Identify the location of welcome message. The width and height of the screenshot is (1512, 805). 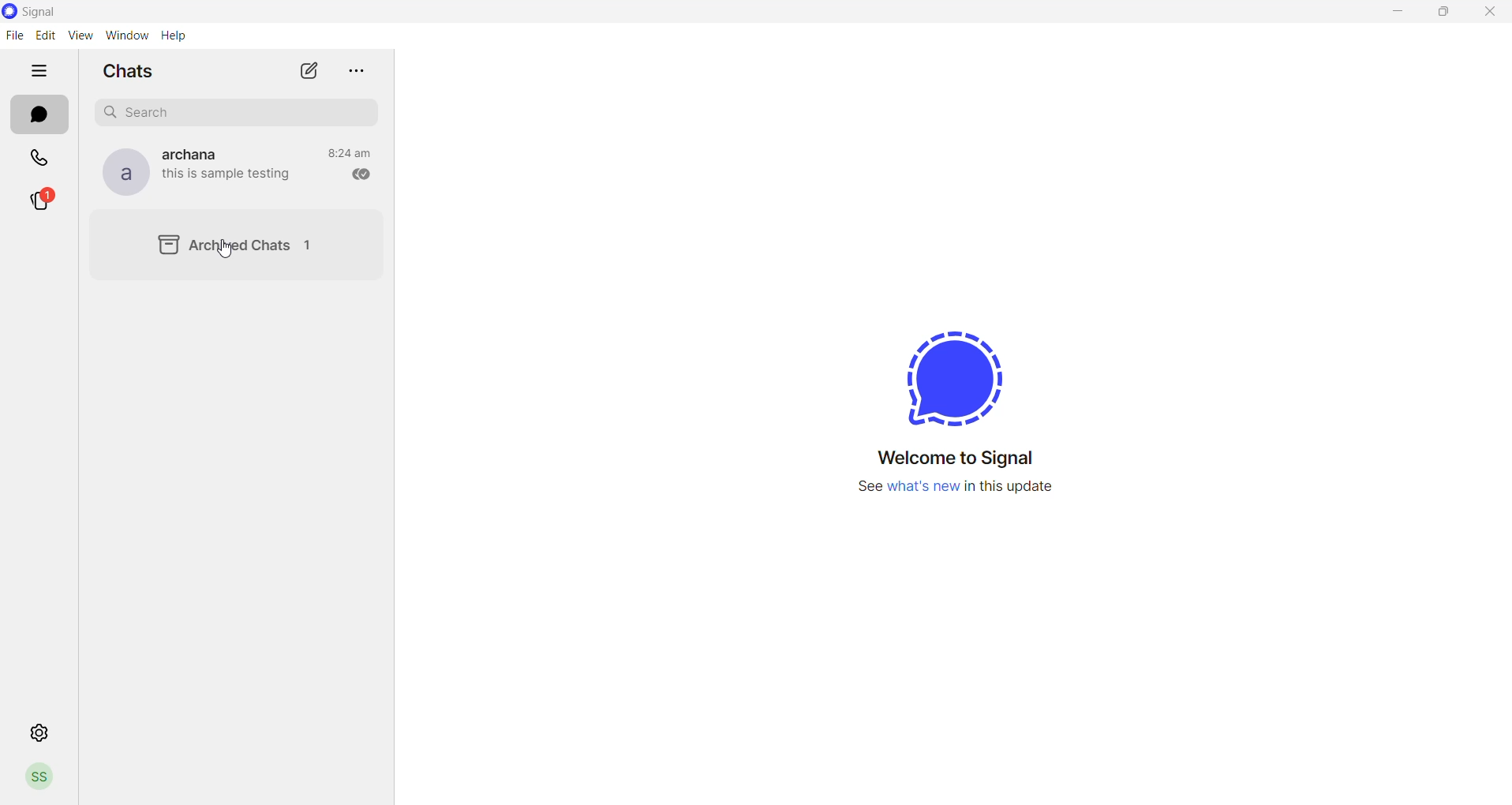
(956, 458).